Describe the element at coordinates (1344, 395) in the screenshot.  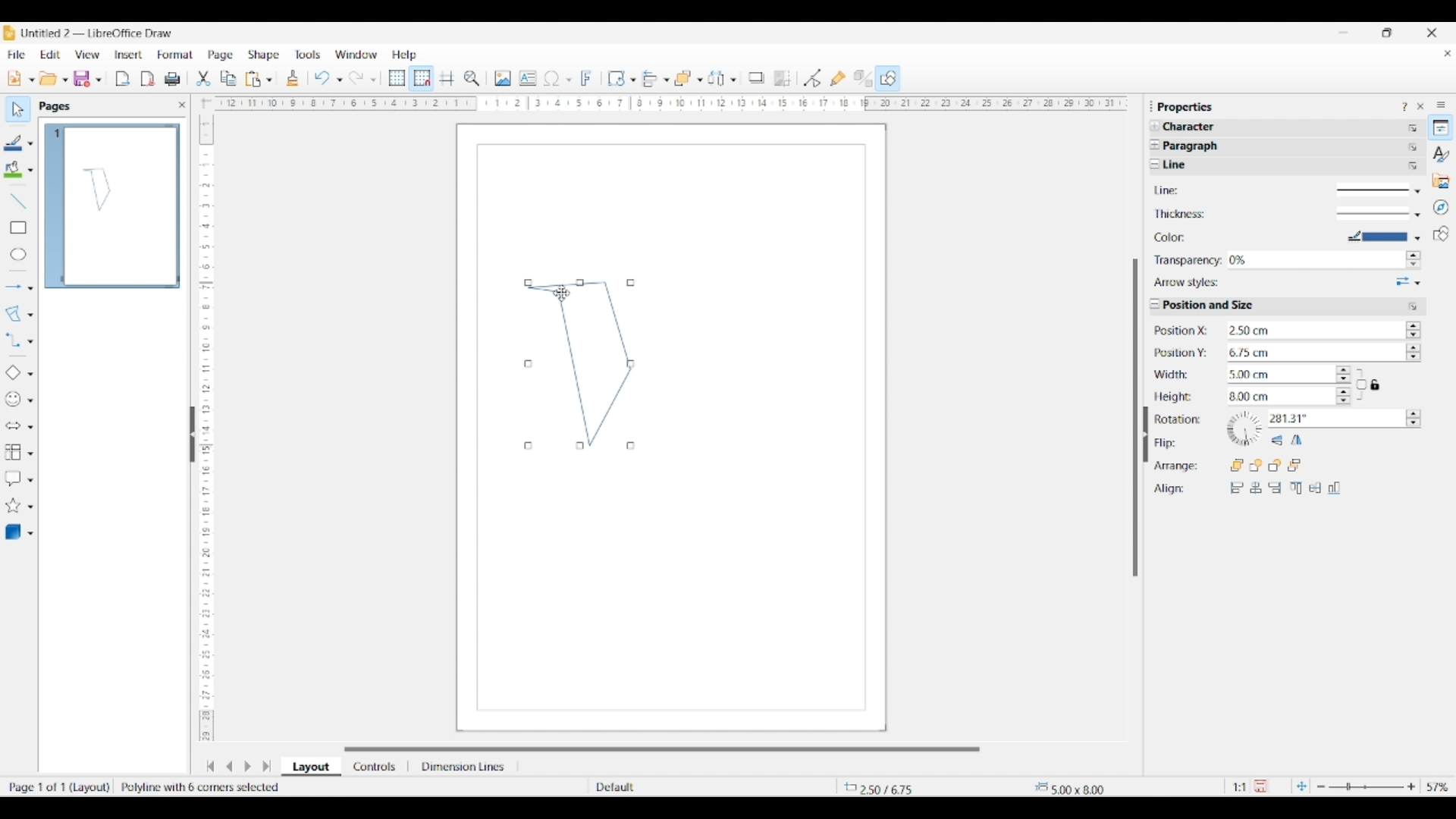
I see `Increase/Decrease height` at that location.